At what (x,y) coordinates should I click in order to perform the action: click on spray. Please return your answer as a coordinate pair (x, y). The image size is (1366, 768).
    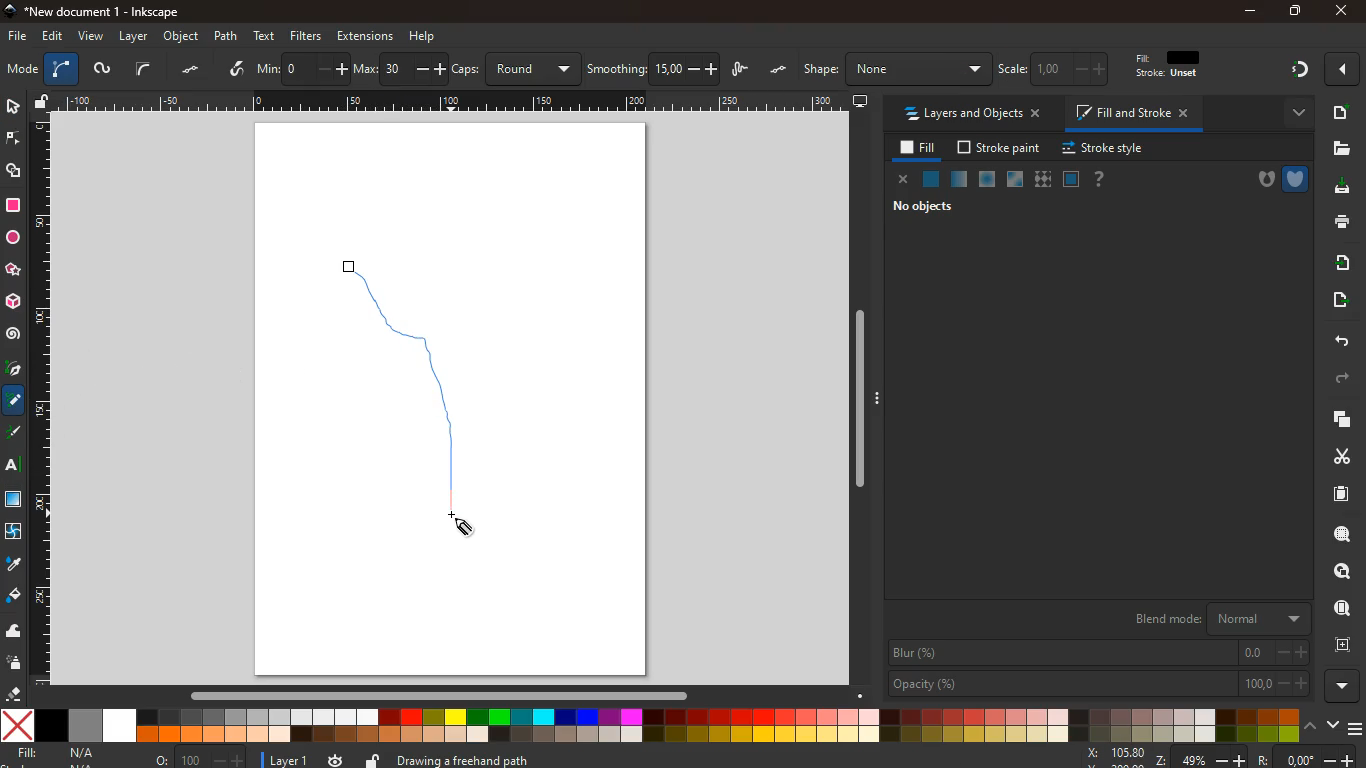
    Looking at the image, I should click on (18, 663).